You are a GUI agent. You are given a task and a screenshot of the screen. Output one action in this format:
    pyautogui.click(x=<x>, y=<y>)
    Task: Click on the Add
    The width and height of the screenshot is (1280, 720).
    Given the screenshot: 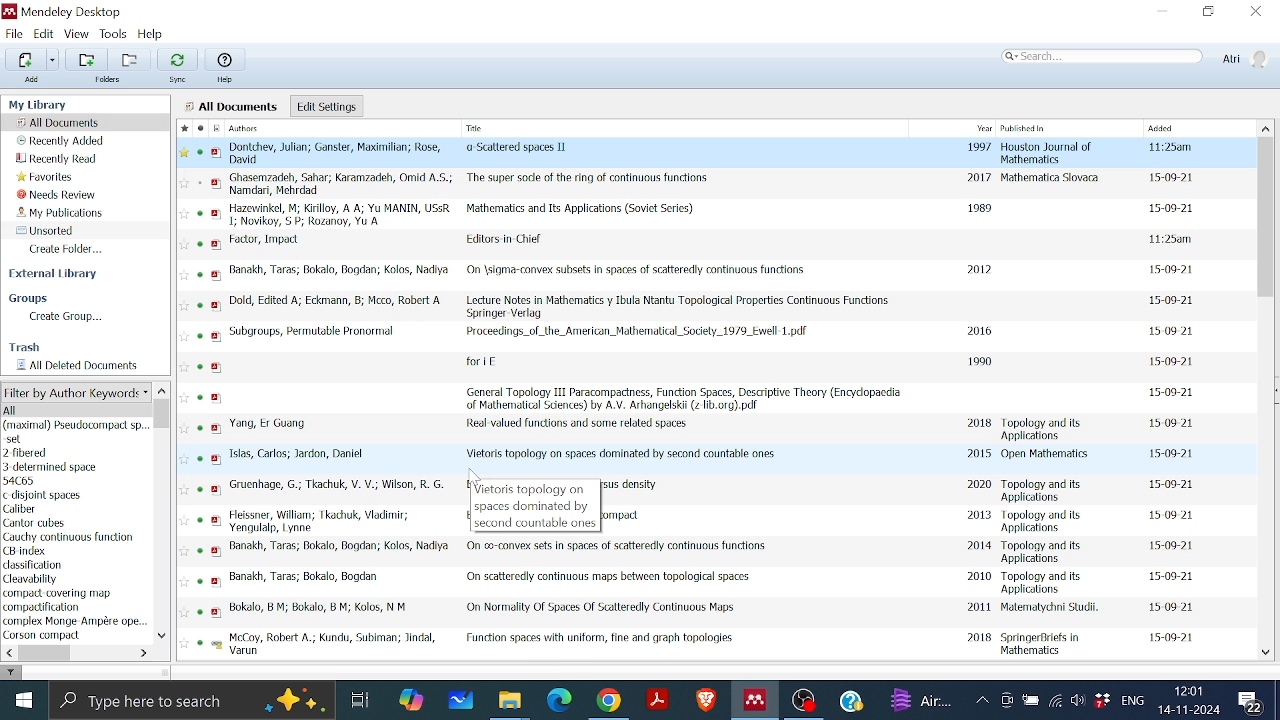 What is the action you would take?
    pyautogui.click(x=32, y=80)
    